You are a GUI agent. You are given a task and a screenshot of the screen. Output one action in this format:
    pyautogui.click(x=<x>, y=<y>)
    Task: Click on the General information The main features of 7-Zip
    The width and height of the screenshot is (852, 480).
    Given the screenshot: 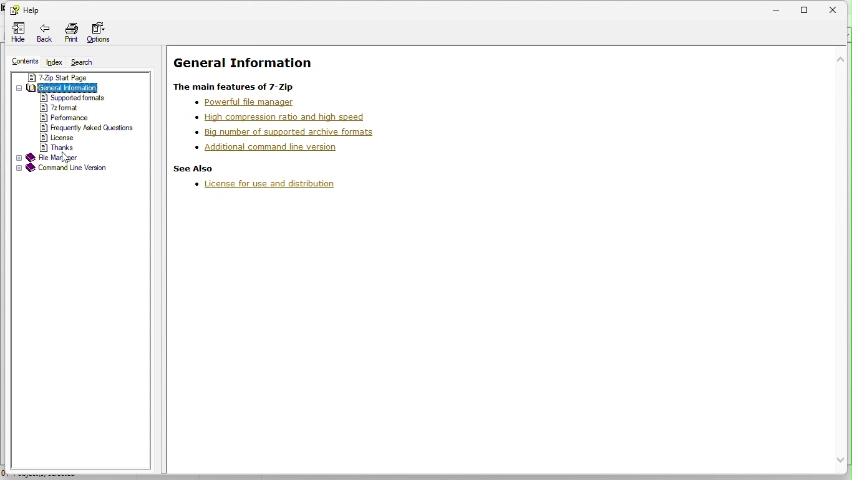 What is the action you would take?
    pyautogui.click(x=250, y=73)
    